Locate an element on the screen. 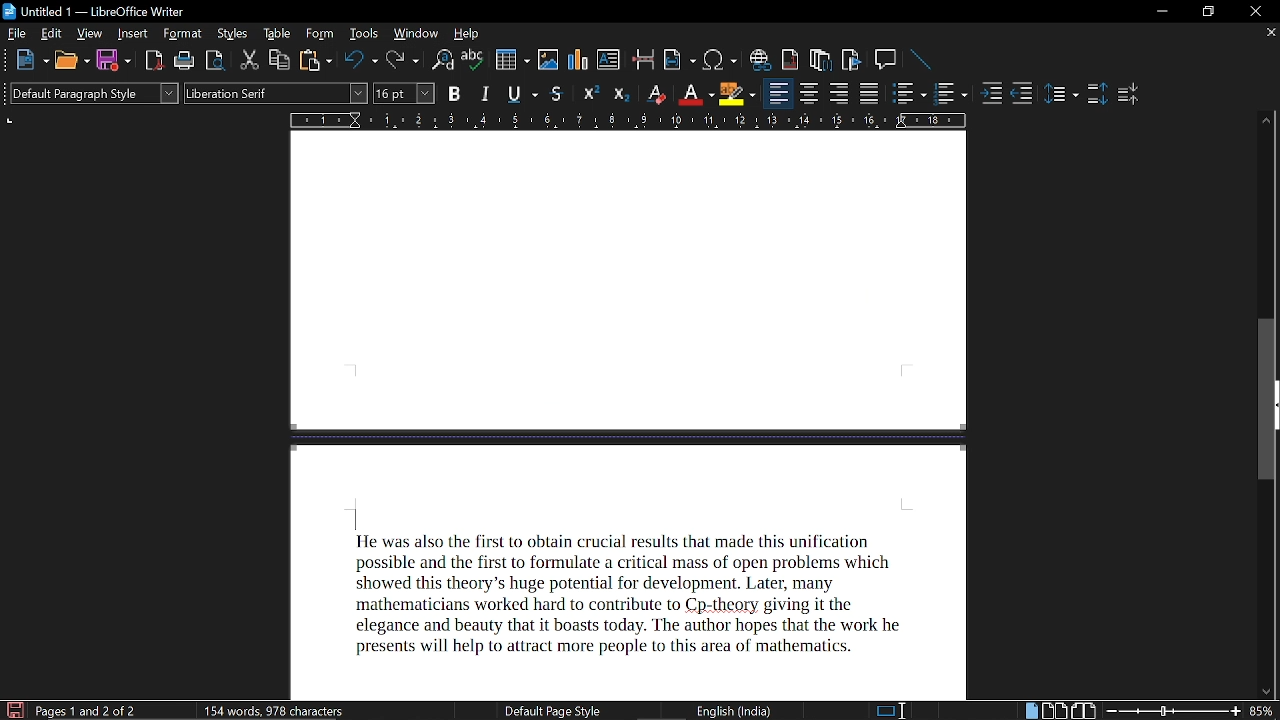 This screenshot has width=1280, height=720. allign left is located at coordinates (779, 95).